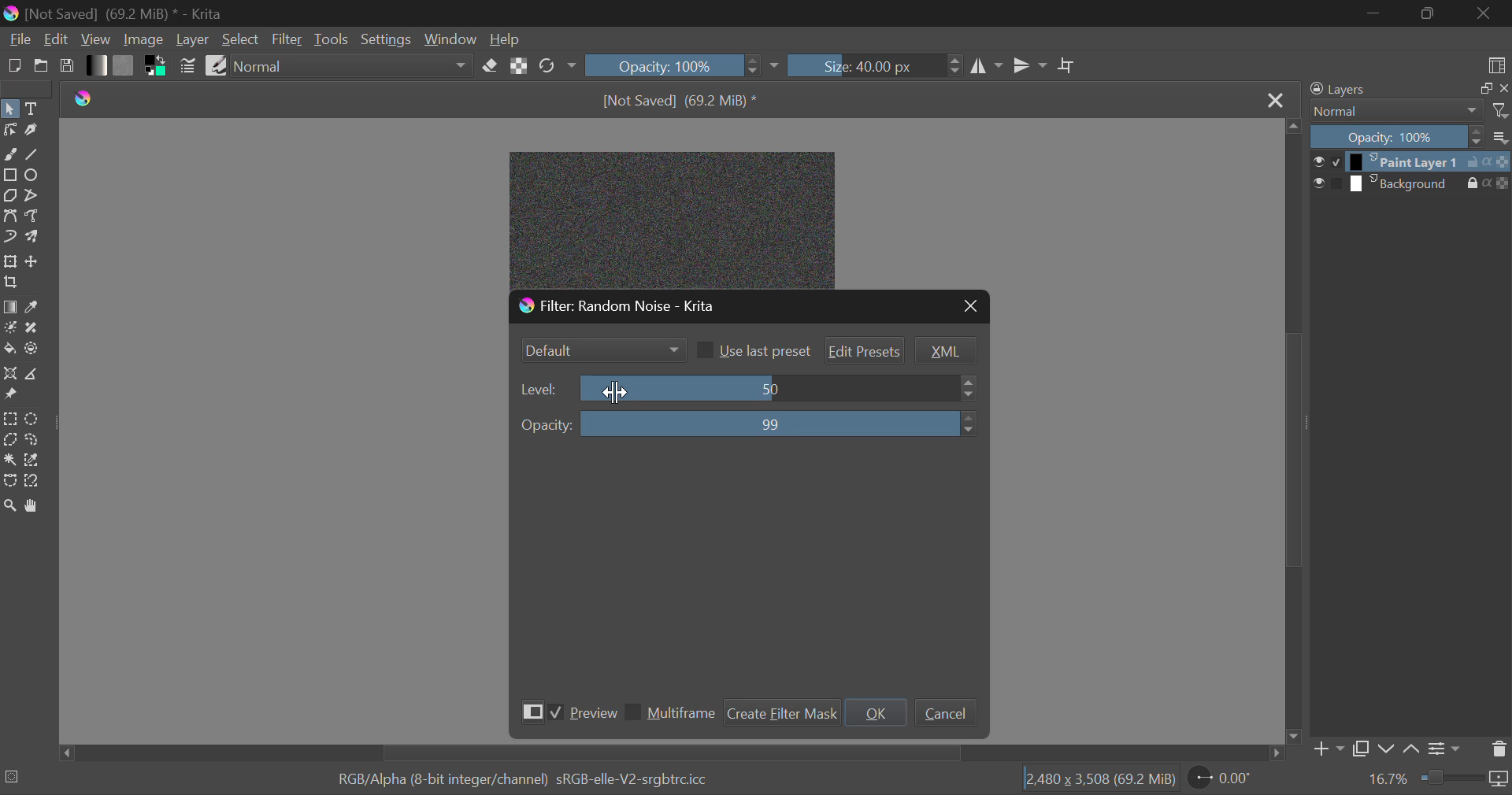  What do you see at coordinates (1294, 734) in the screenshot?
I see `move down` at bounding box center [1294, 734].